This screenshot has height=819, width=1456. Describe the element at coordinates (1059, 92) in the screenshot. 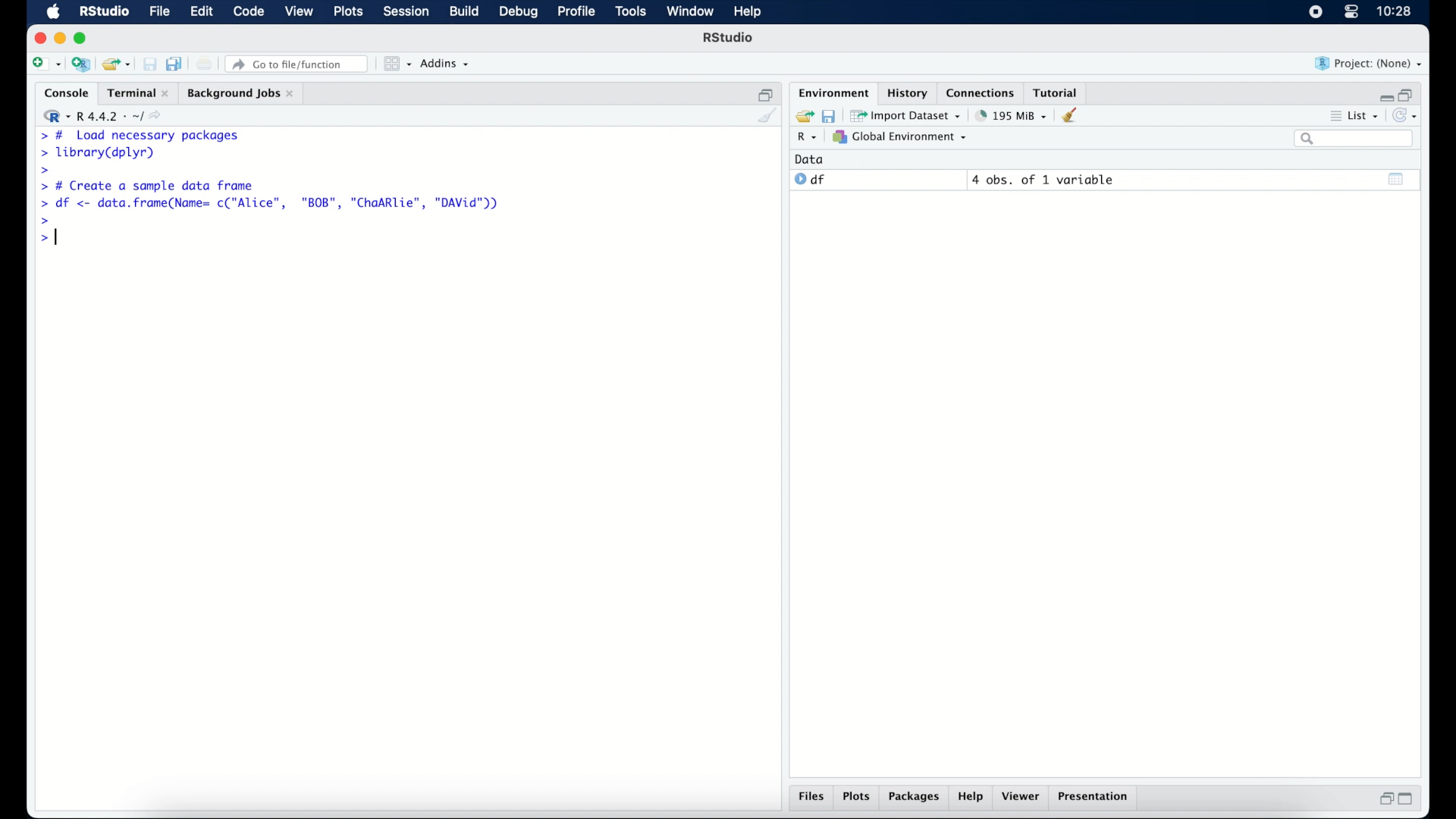

I see `tutorial` at that location.